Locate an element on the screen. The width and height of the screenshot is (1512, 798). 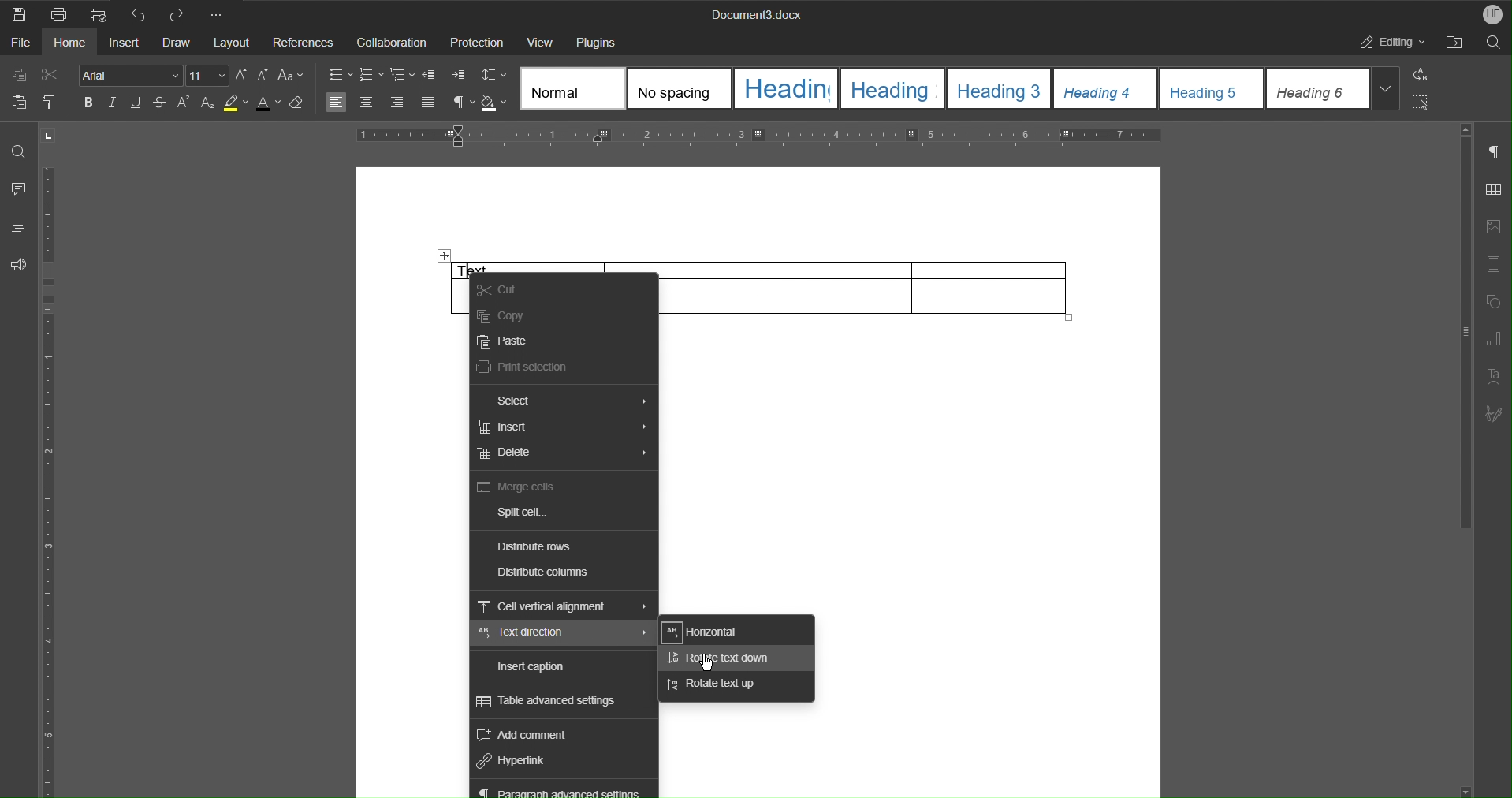
Select All is located at coordinates (1424, 102).